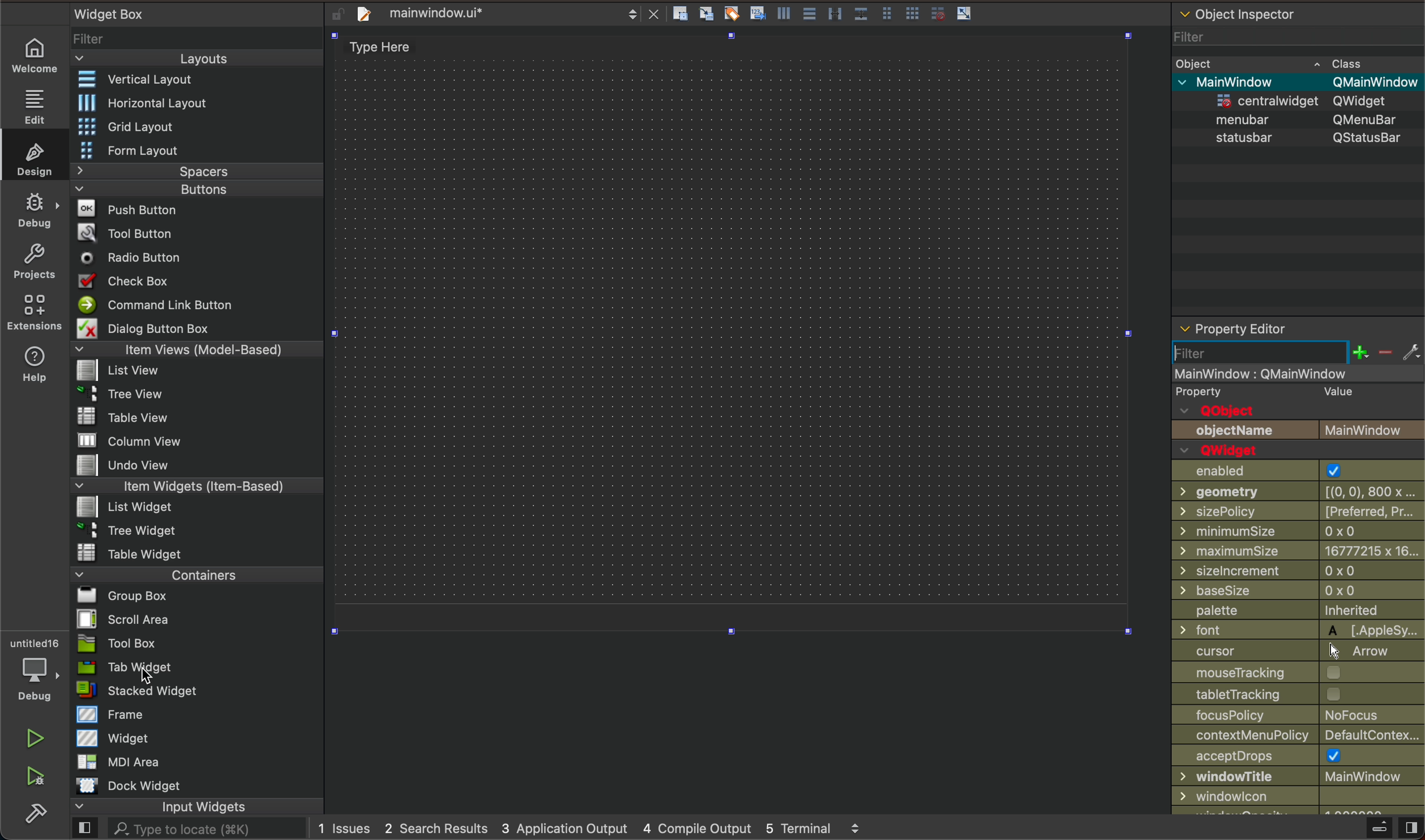 Image resolution: width=1425 pixels, height=840 pixels. What do you see at coordinates (1299, 552) in the screenshot?
I see `` at bounding box center [1299, 552].